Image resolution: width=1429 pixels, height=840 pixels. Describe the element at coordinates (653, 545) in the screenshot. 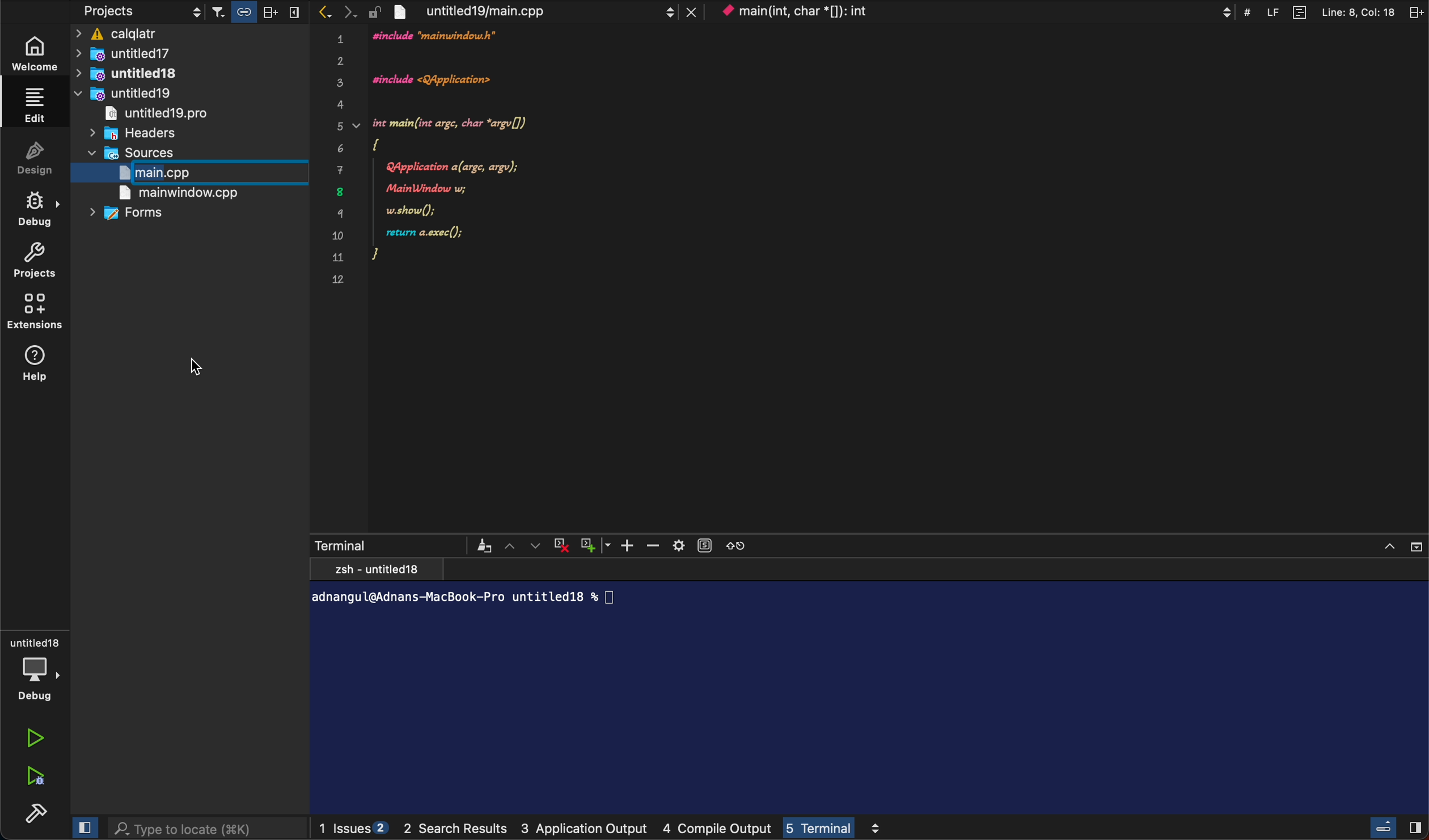

I see `Minus` at that location.